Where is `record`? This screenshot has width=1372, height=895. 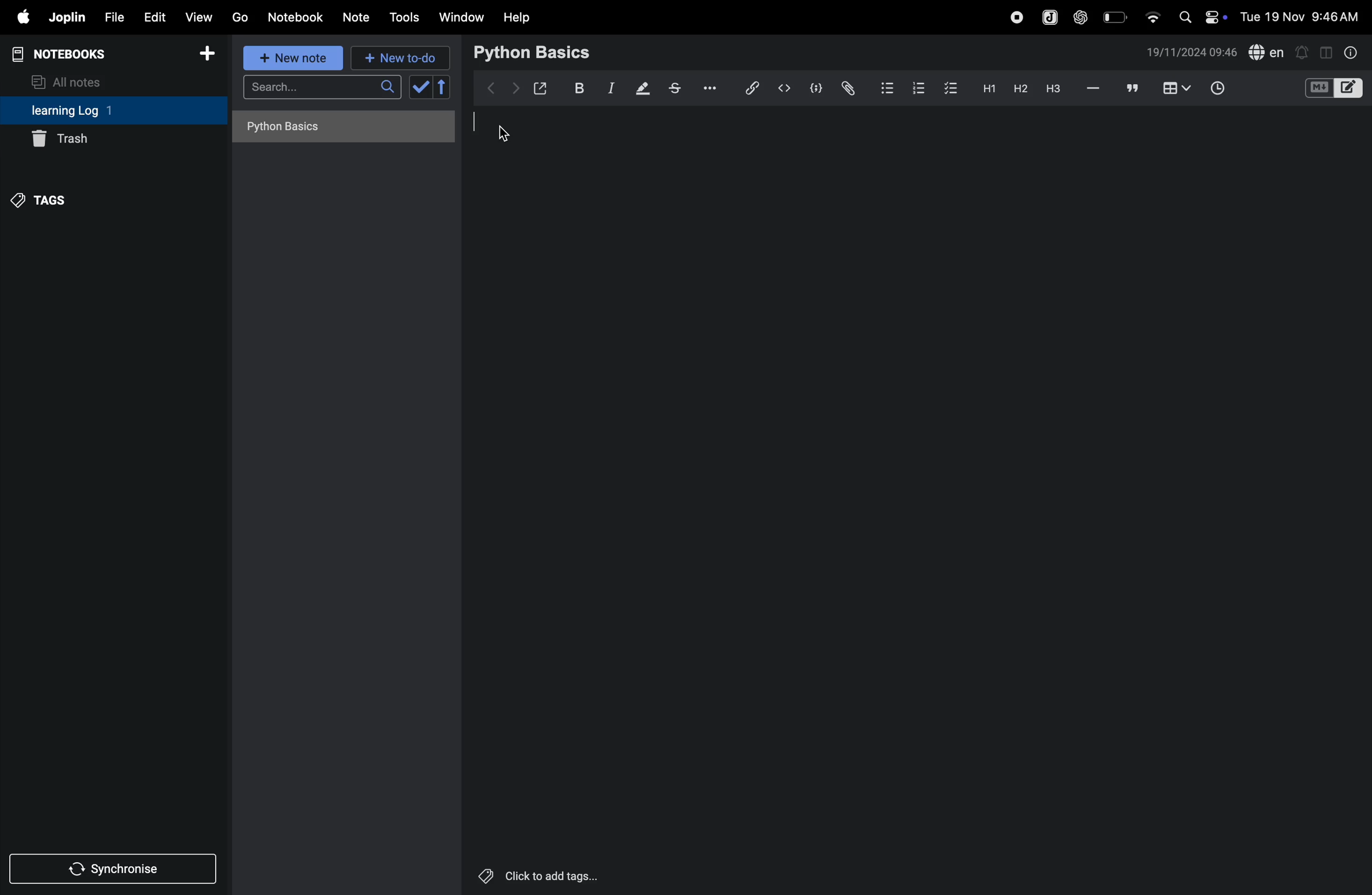 record is located at coordinates (1016, 16).